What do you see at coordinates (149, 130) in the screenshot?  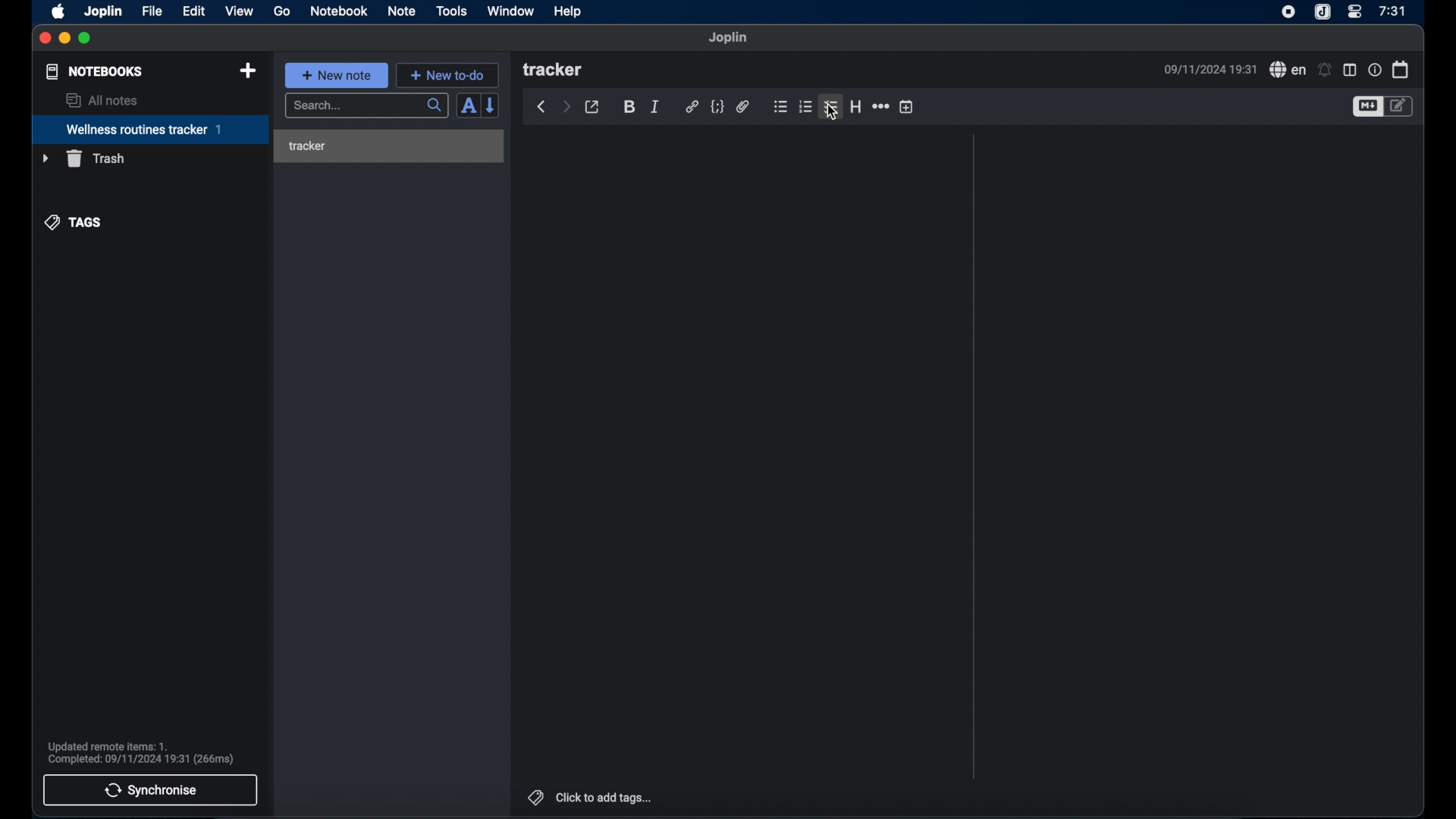 I see `wellness routines tracker 1` at bounding box center [149, 130].